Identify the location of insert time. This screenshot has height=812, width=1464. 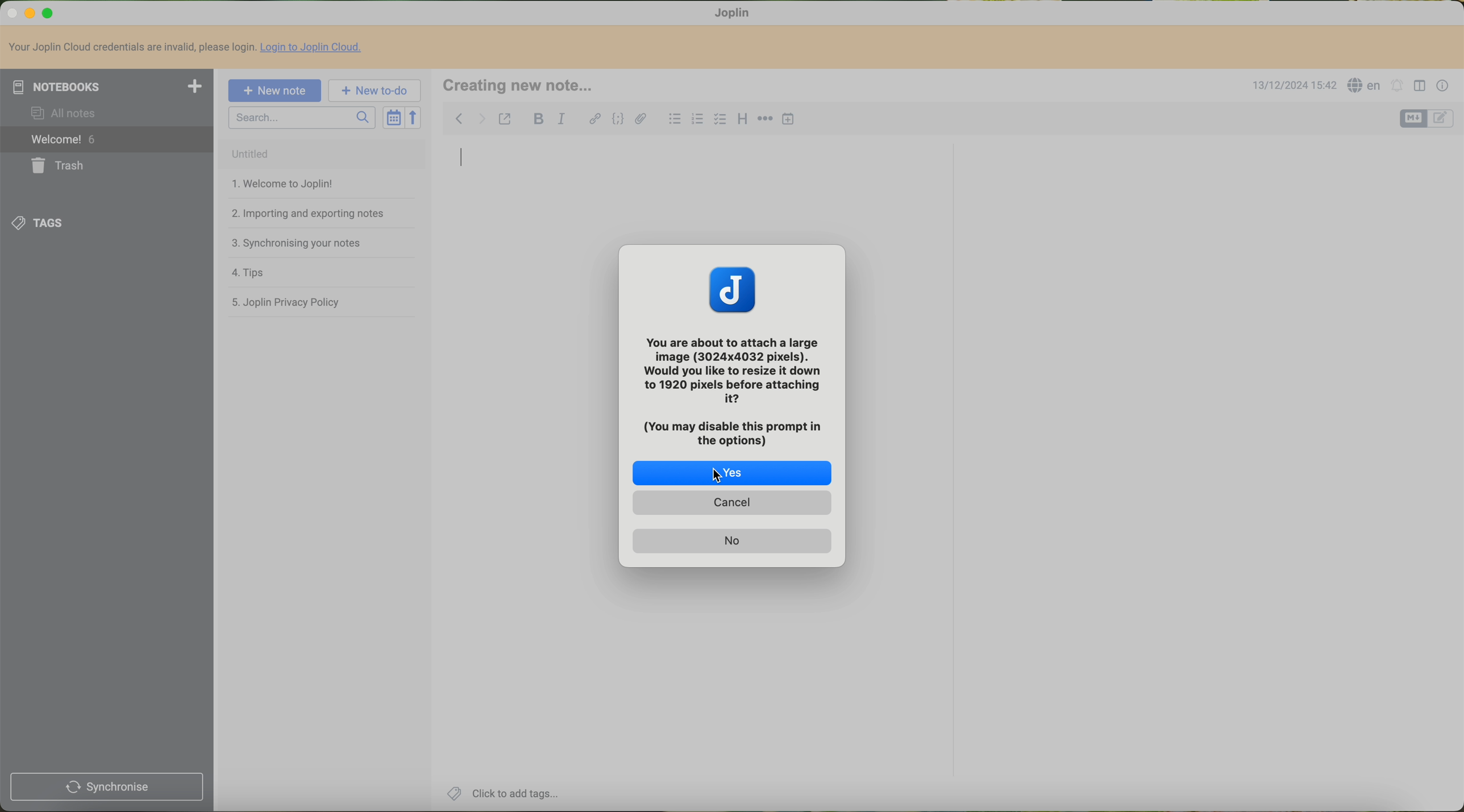
(788, 120).